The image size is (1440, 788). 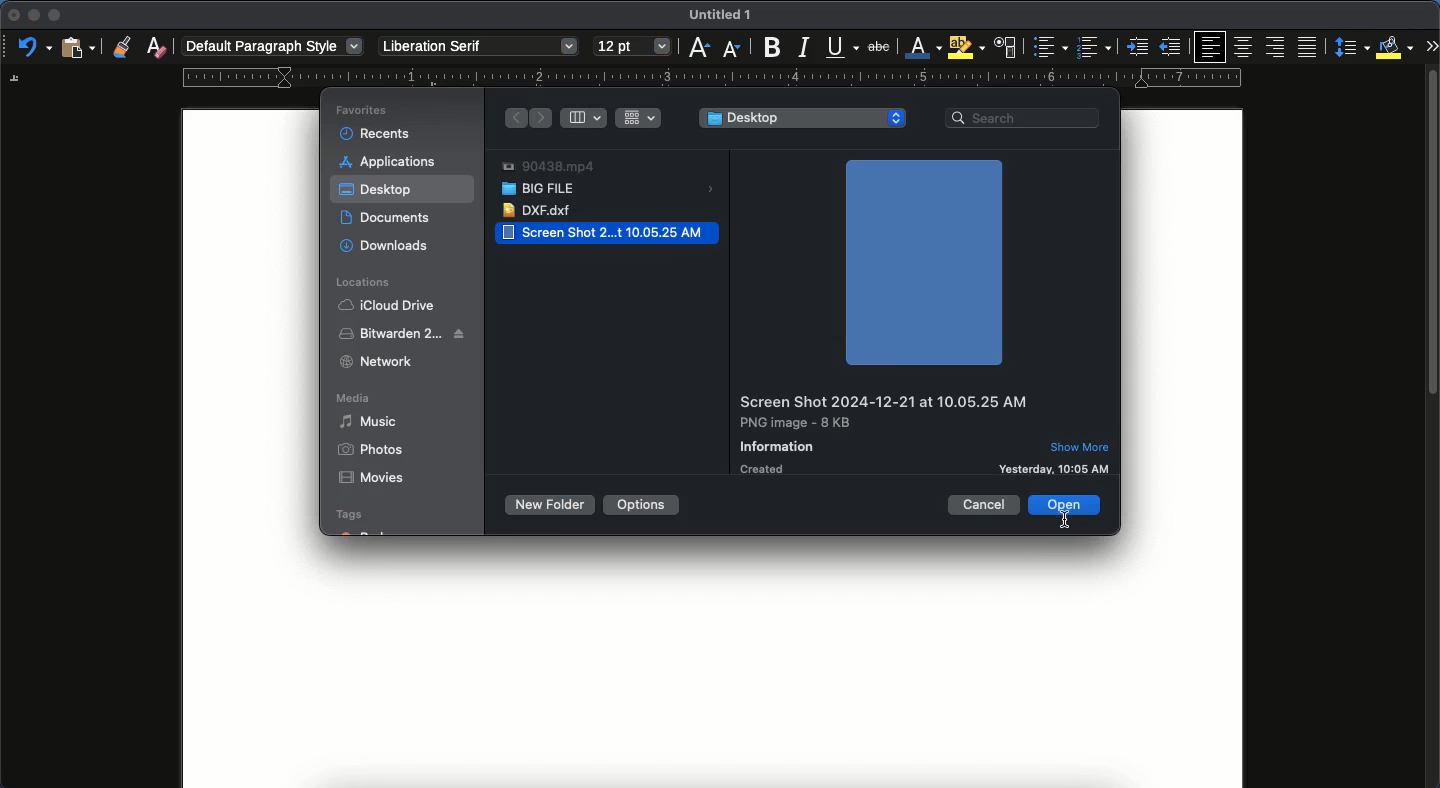 I want to click on open, so click(x=1067, y=505).